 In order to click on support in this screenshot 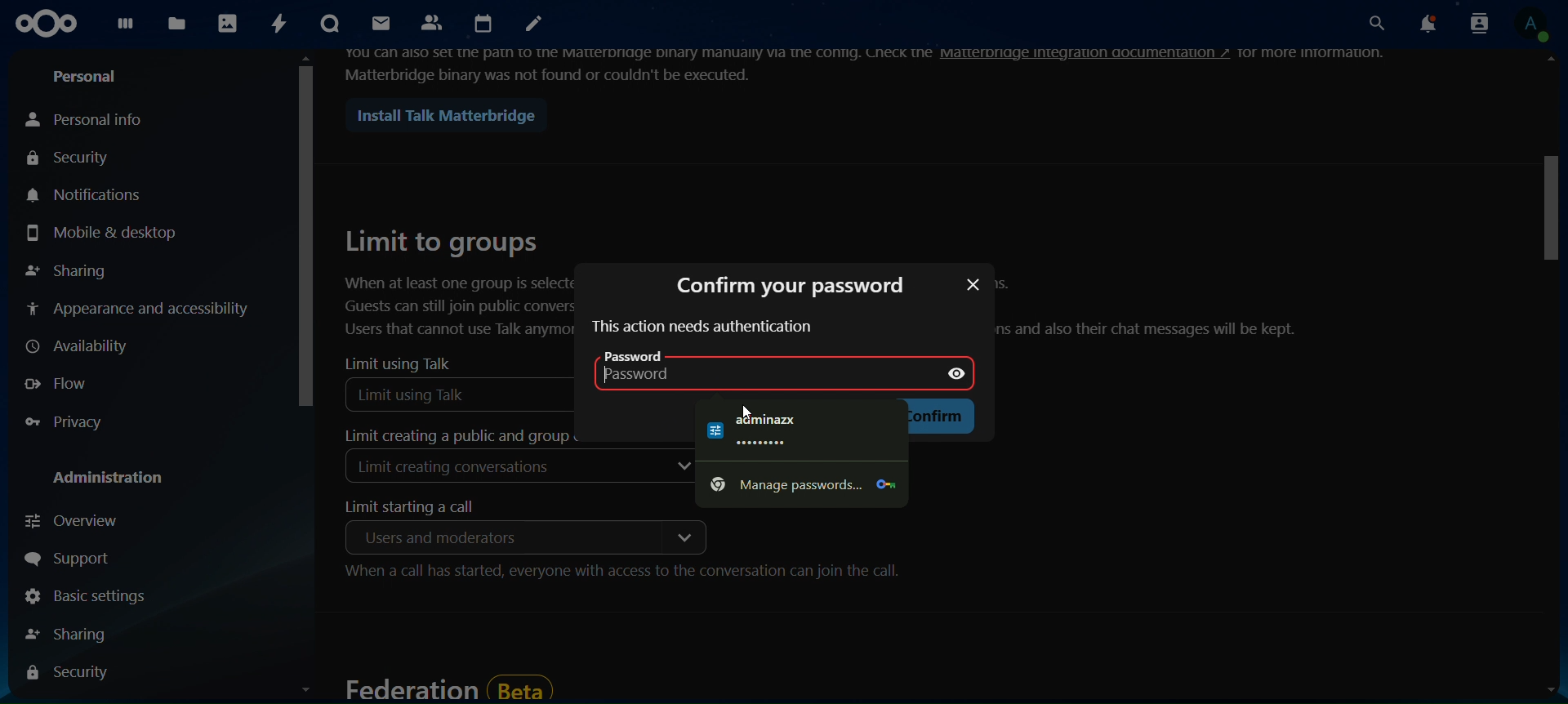, I will do `click(80, 561)`.